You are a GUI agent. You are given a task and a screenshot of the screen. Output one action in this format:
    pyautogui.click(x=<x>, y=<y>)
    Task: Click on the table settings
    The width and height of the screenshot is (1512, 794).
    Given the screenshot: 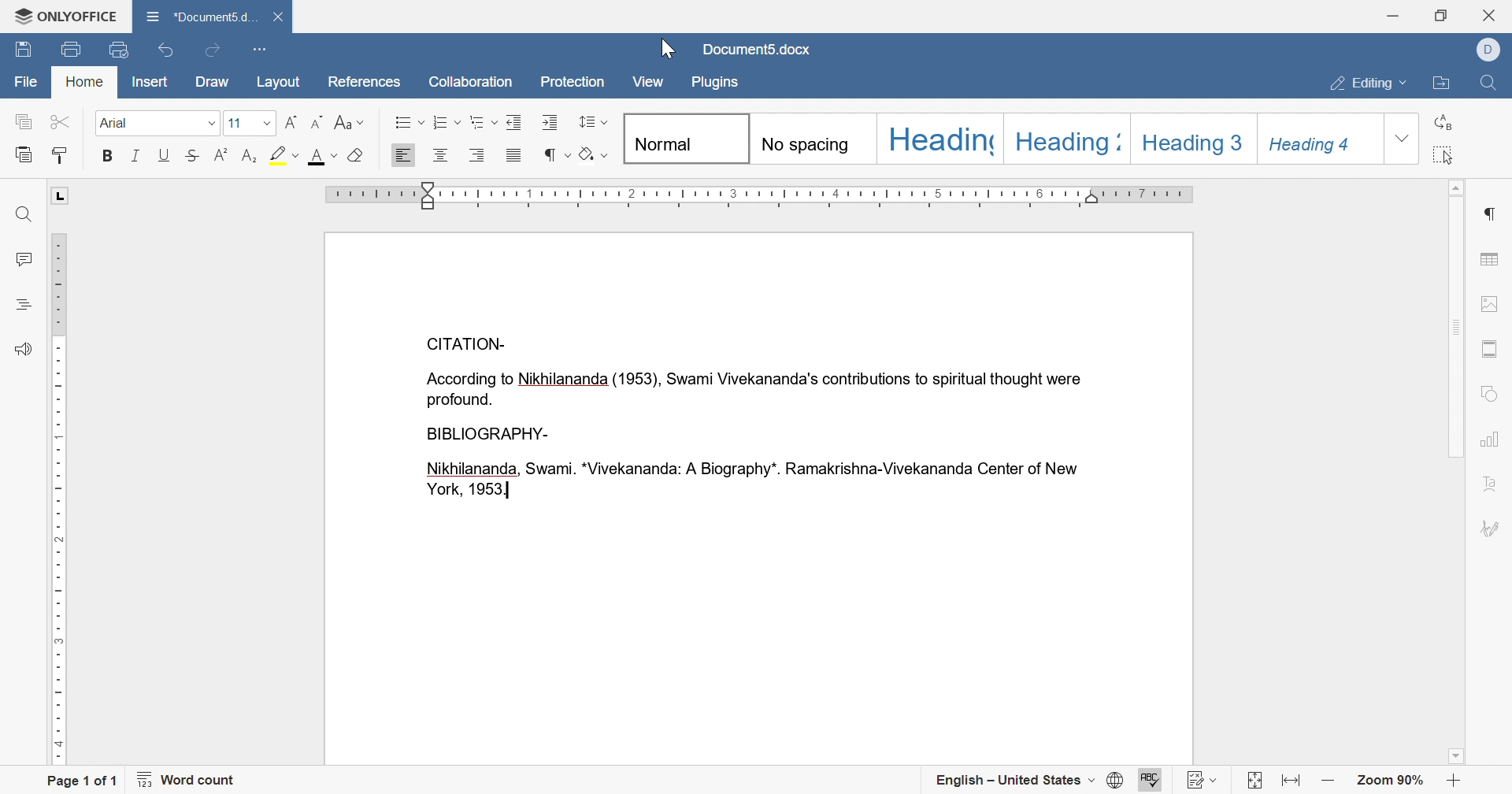 What is the action you would take?
    pyautogui.click(x=1490, y=257)
    